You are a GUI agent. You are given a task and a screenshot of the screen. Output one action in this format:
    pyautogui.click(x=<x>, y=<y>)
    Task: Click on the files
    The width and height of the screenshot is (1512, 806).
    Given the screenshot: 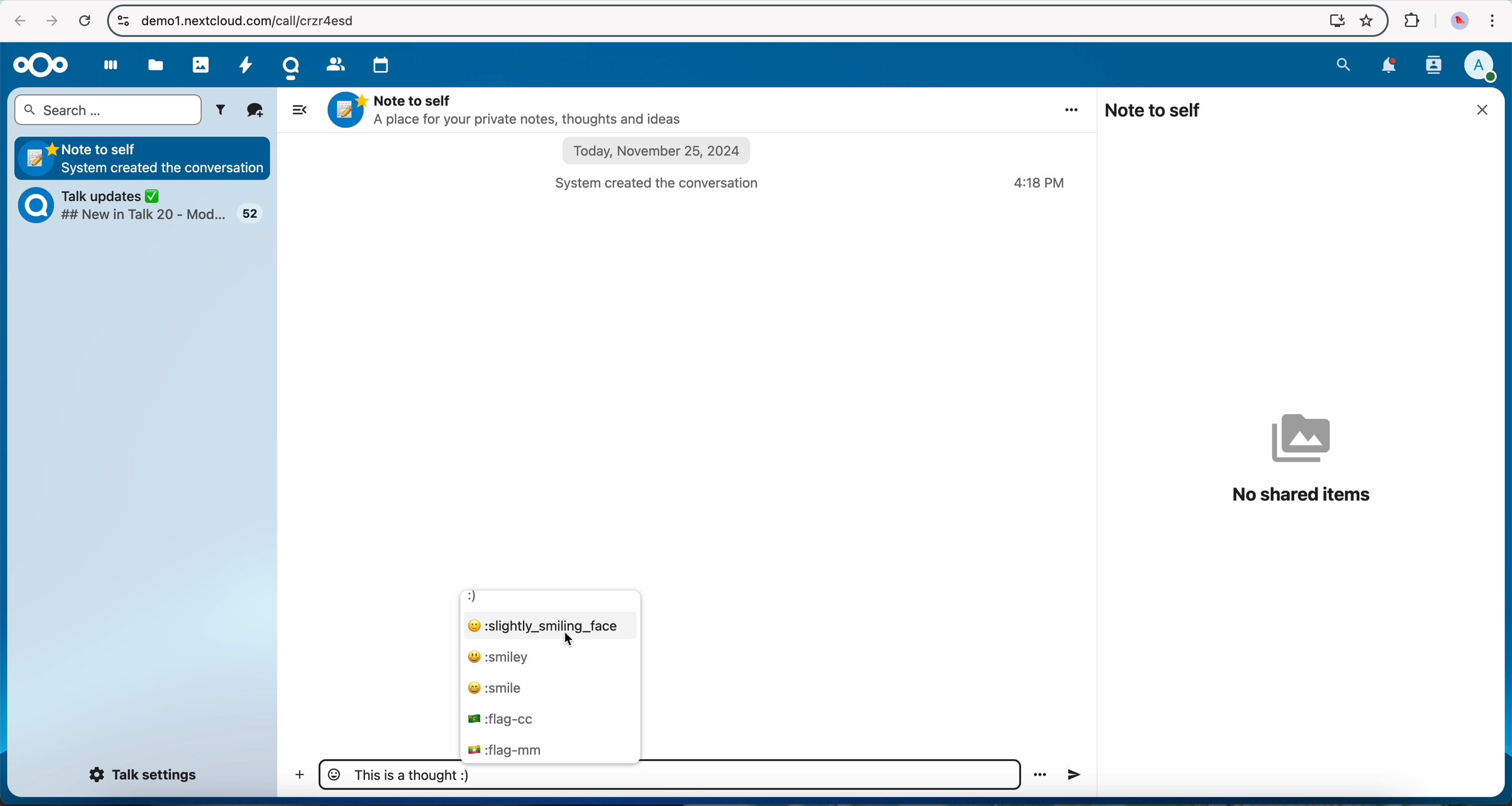 What is the action you would take?
    pyautogui.click(x=157, y=65)
    